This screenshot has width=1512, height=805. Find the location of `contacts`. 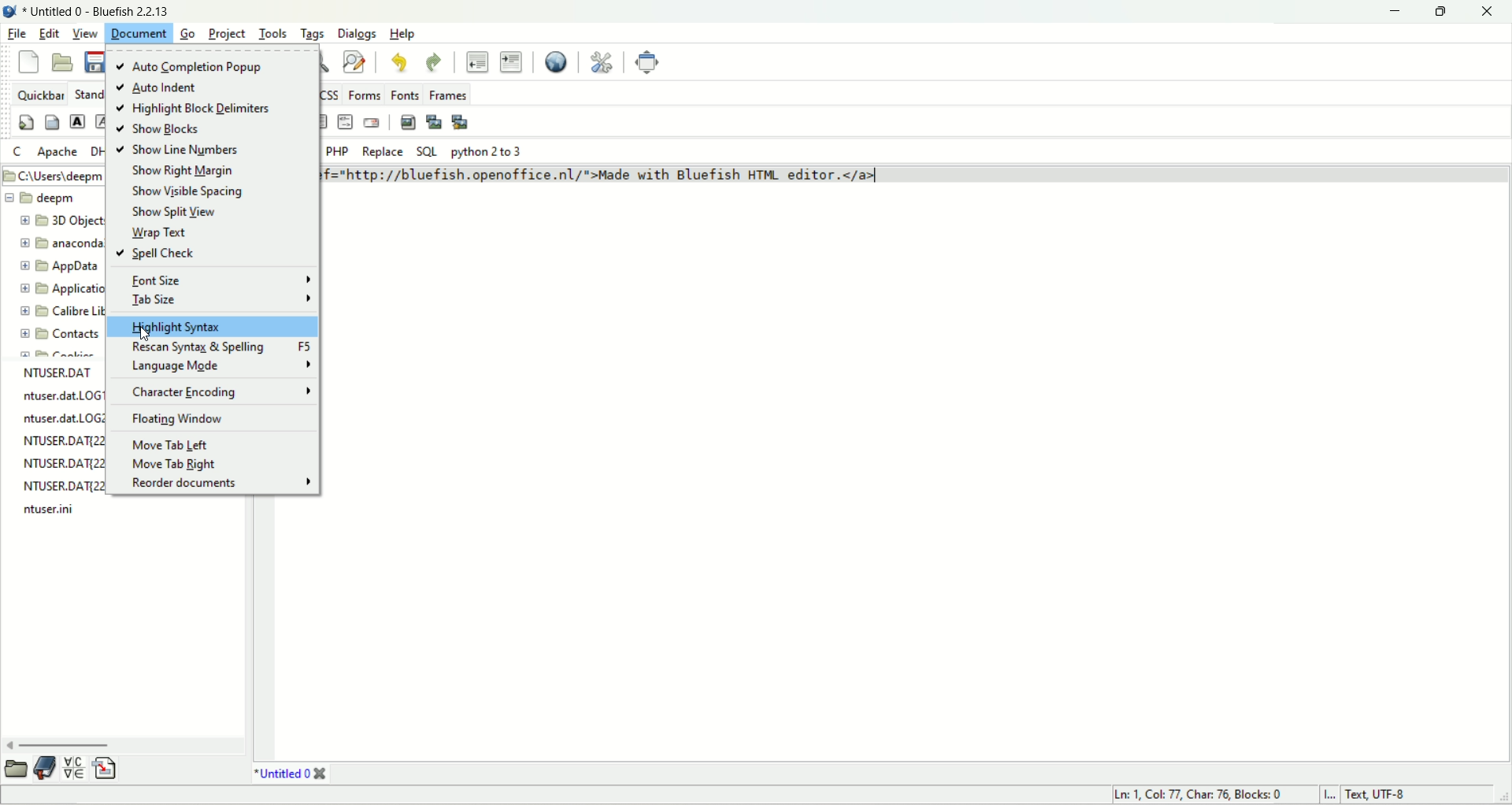

contacts is located at coordinates (58, 337).